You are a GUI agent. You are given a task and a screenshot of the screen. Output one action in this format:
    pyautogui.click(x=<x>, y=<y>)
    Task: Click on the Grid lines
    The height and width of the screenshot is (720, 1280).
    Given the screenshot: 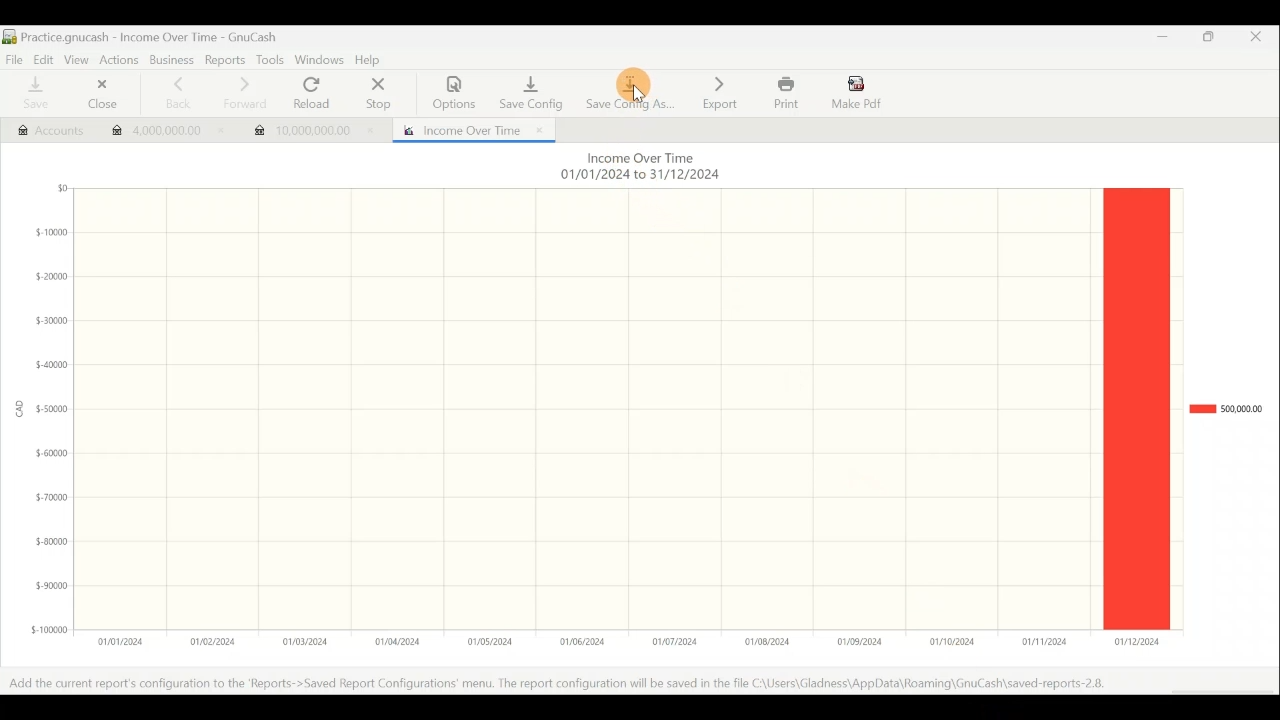 What is the action you would take?
    pyautogui.click(x=588, y=407)
    